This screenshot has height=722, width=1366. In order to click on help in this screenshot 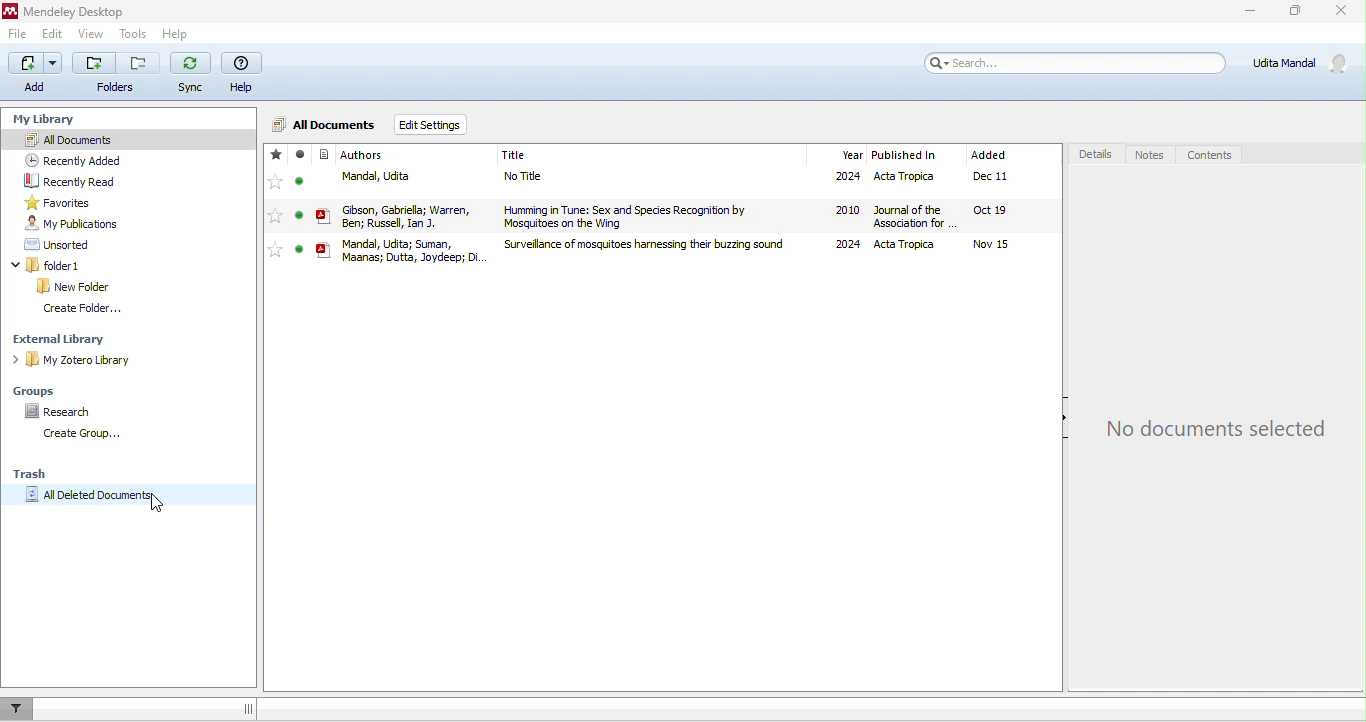, I will do `click(176, 35)`.